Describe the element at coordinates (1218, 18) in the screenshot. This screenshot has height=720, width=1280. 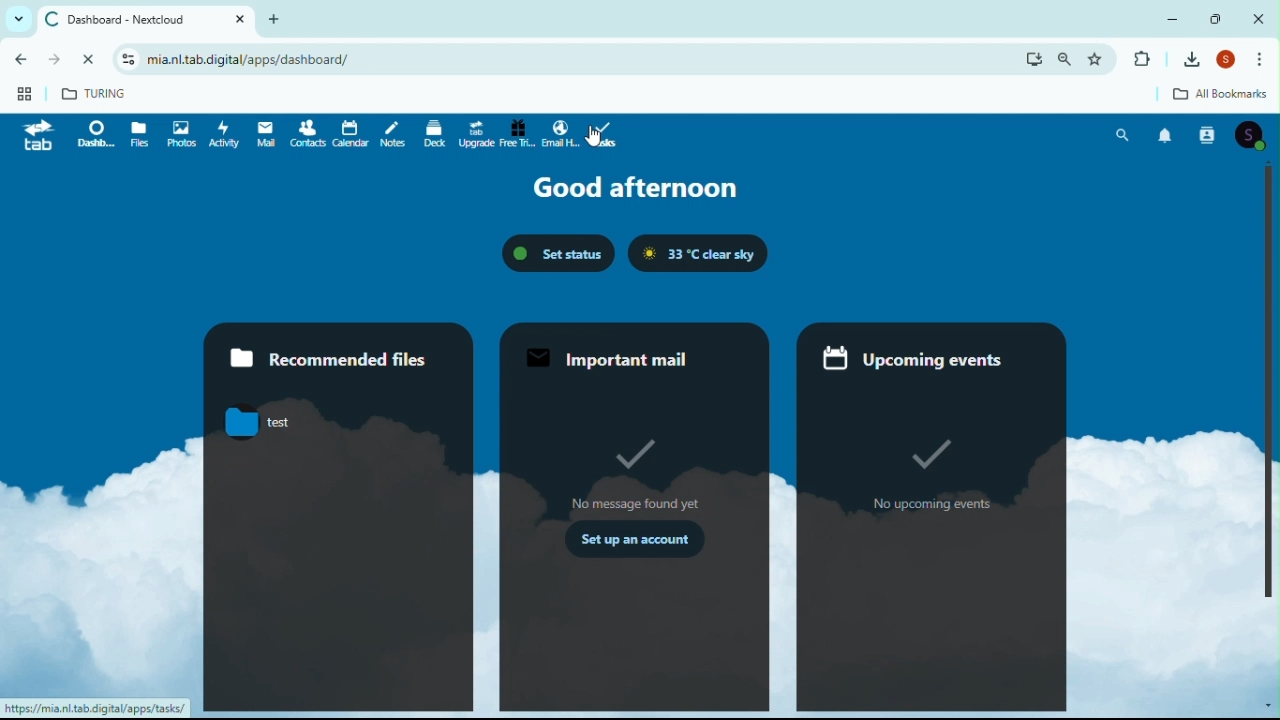
I see `Restore` at that location.